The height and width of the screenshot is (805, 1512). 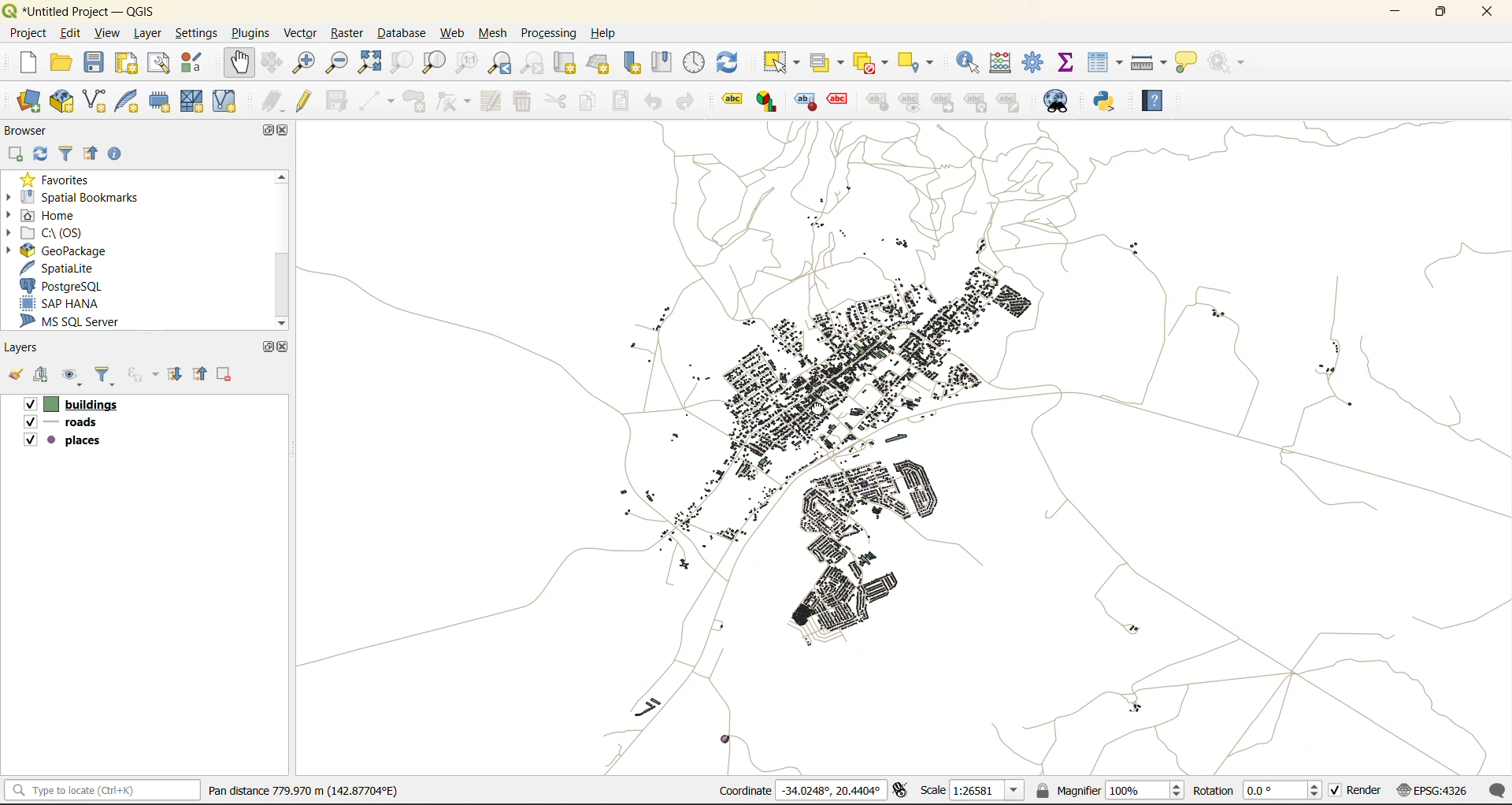 What do you see at coordinates (556, 102) in the screenshot?
I see `cut` at bounding box center [556, 102].